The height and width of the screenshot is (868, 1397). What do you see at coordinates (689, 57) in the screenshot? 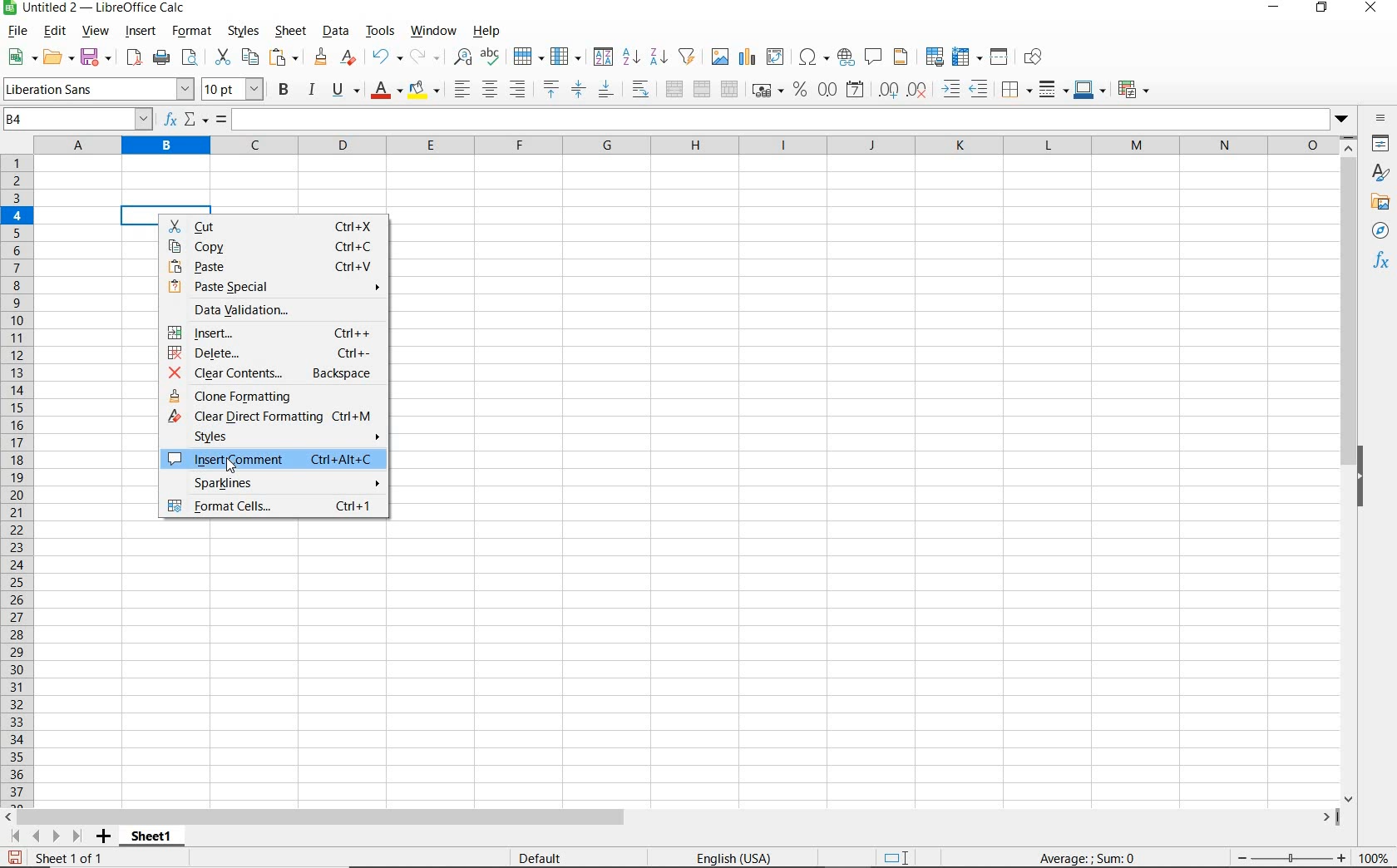
I see `AutoFilter` at bounding box center [689, 57].